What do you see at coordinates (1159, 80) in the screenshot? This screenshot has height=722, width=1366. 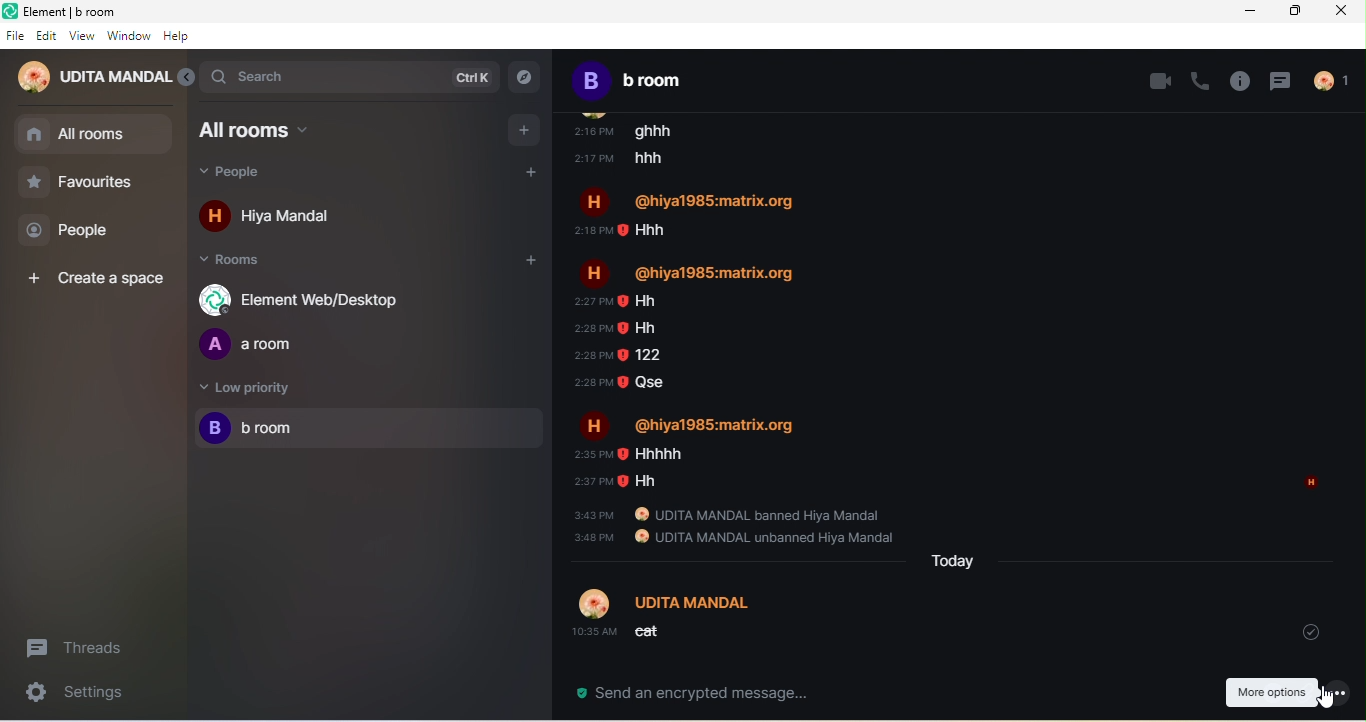 I see `video call` at bounding box center [1159, 80].